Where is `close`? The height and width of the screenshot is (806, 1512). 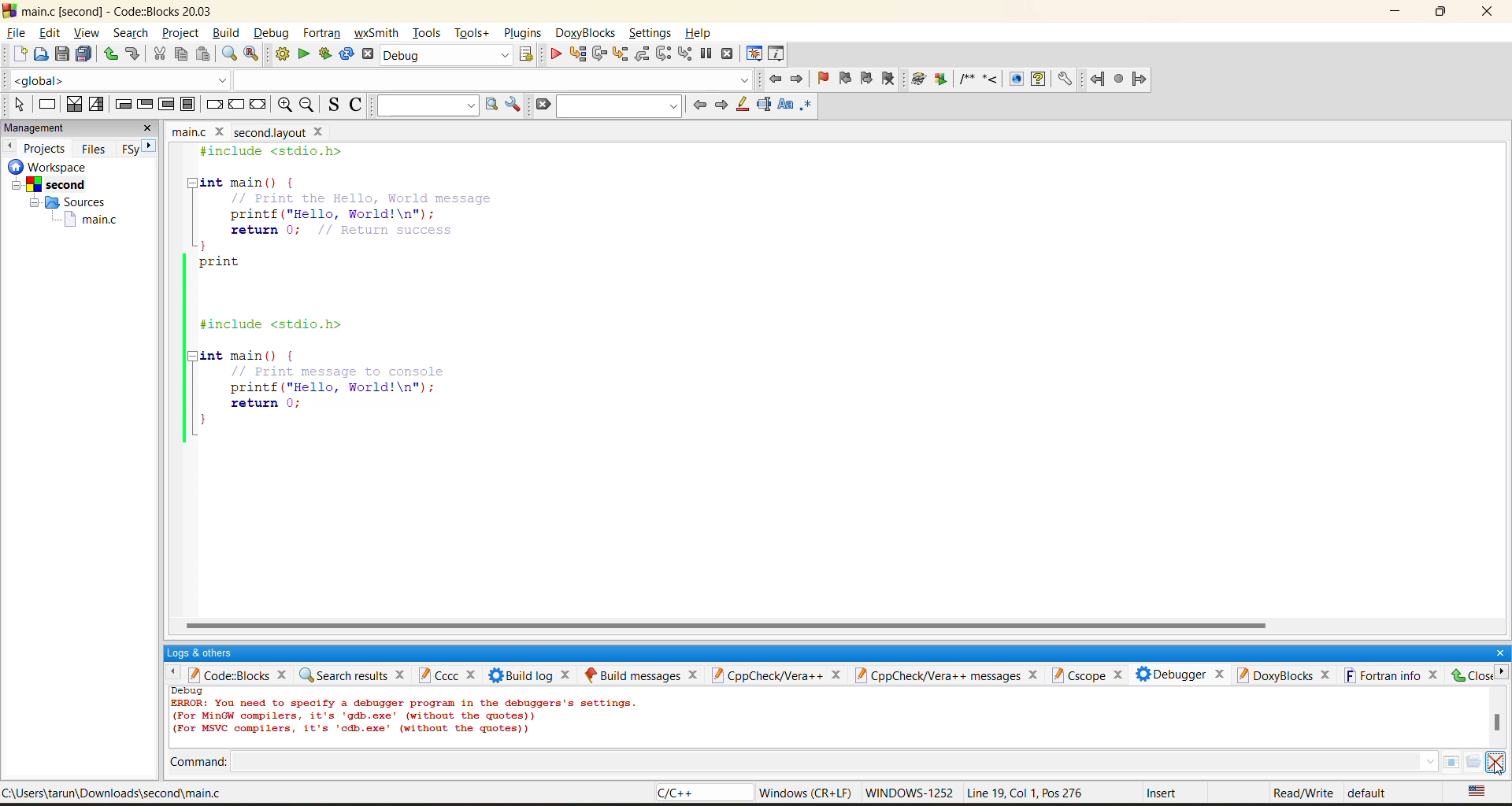
close is located at coordinates (154, 130).